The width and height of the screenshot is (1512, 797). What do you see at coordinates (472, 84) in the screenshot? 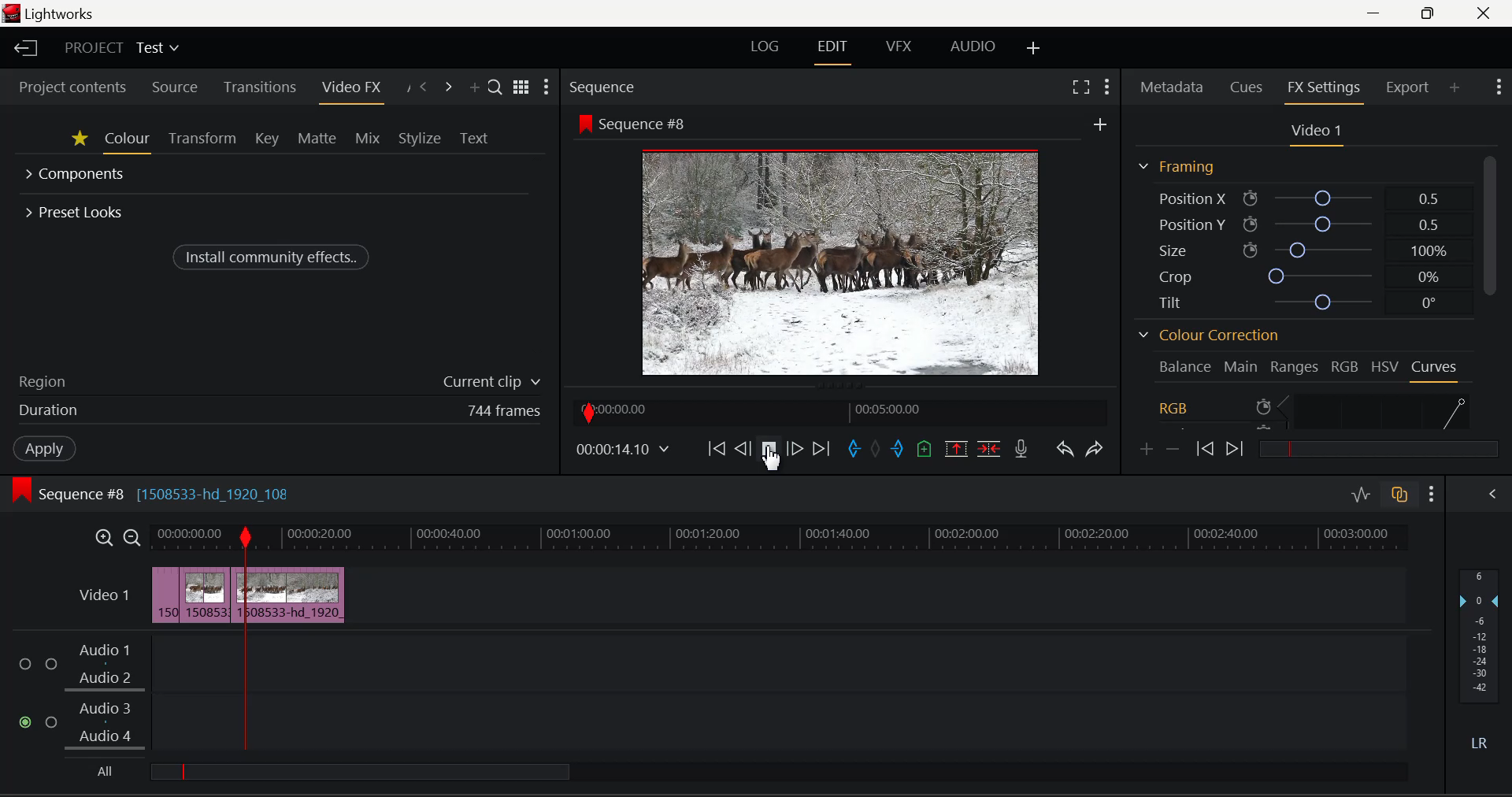
I see `Add Panel` at bounding box center [472, 84].